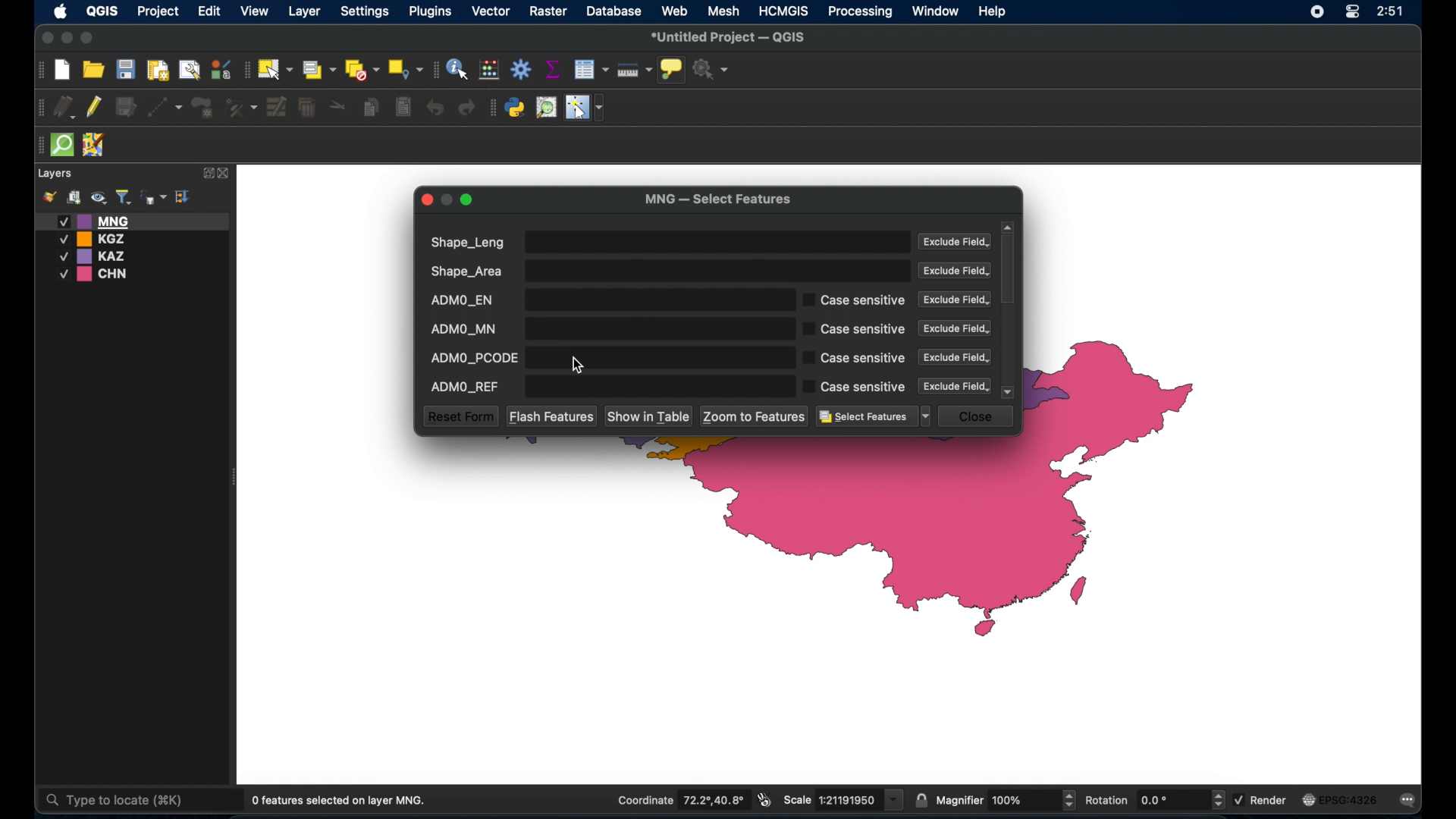  I want to click on drag handle, so click(38, 145).